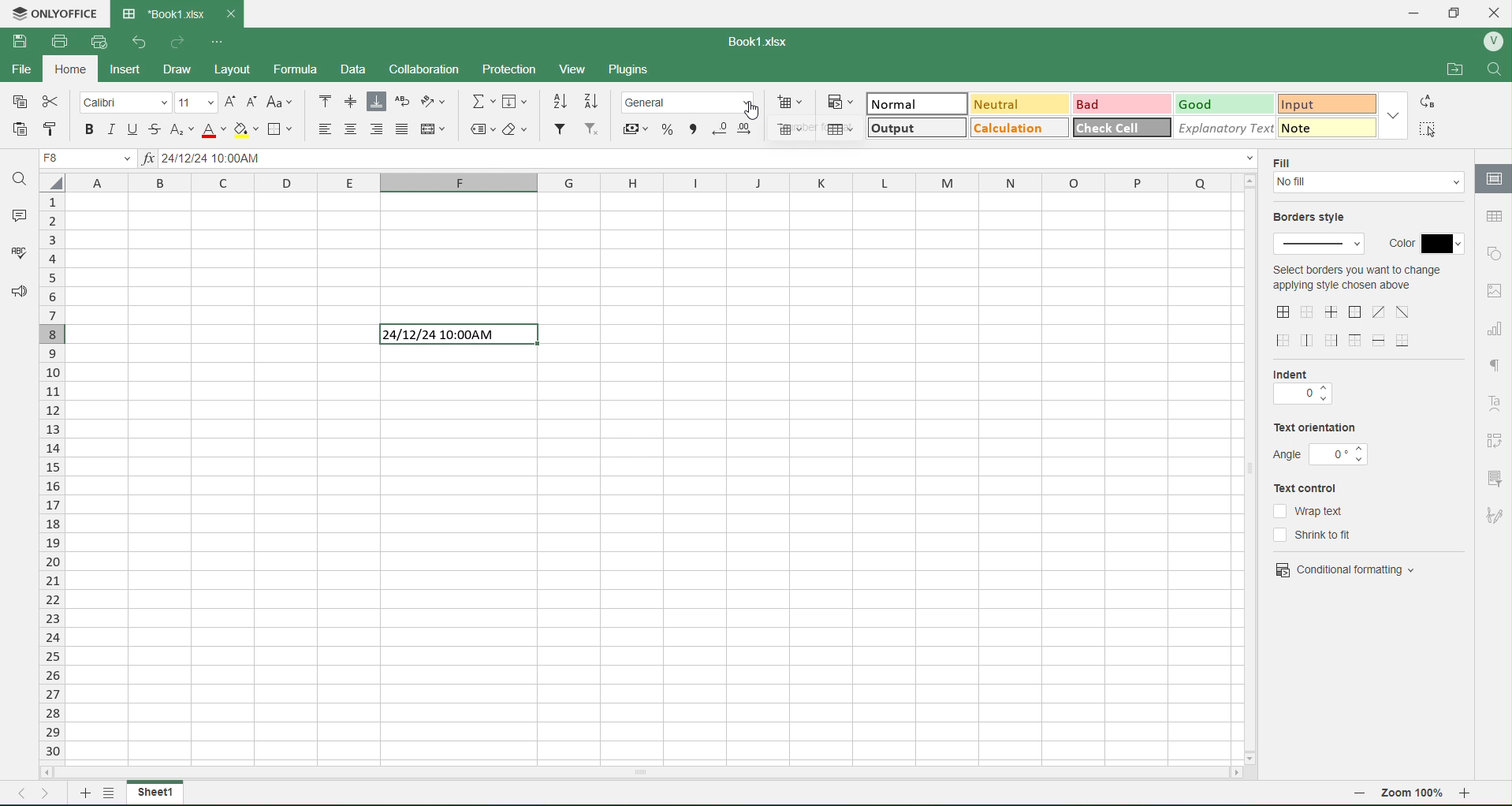  I want to click on Redo, so click(179, 41).